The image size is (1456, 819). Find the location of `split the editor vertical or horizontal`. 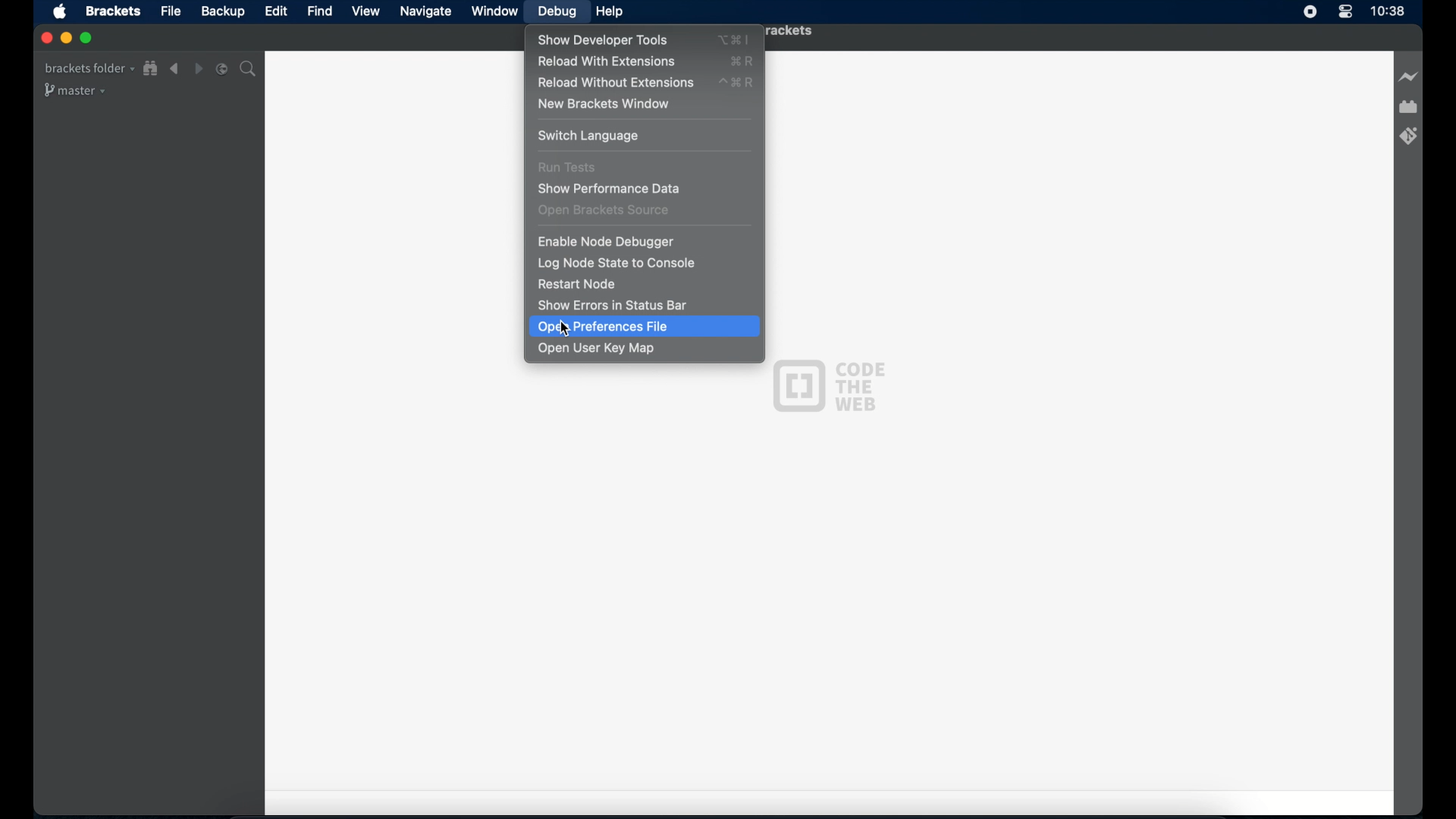

split the editor vertical or horizontal is located at coordinates (222, 70).